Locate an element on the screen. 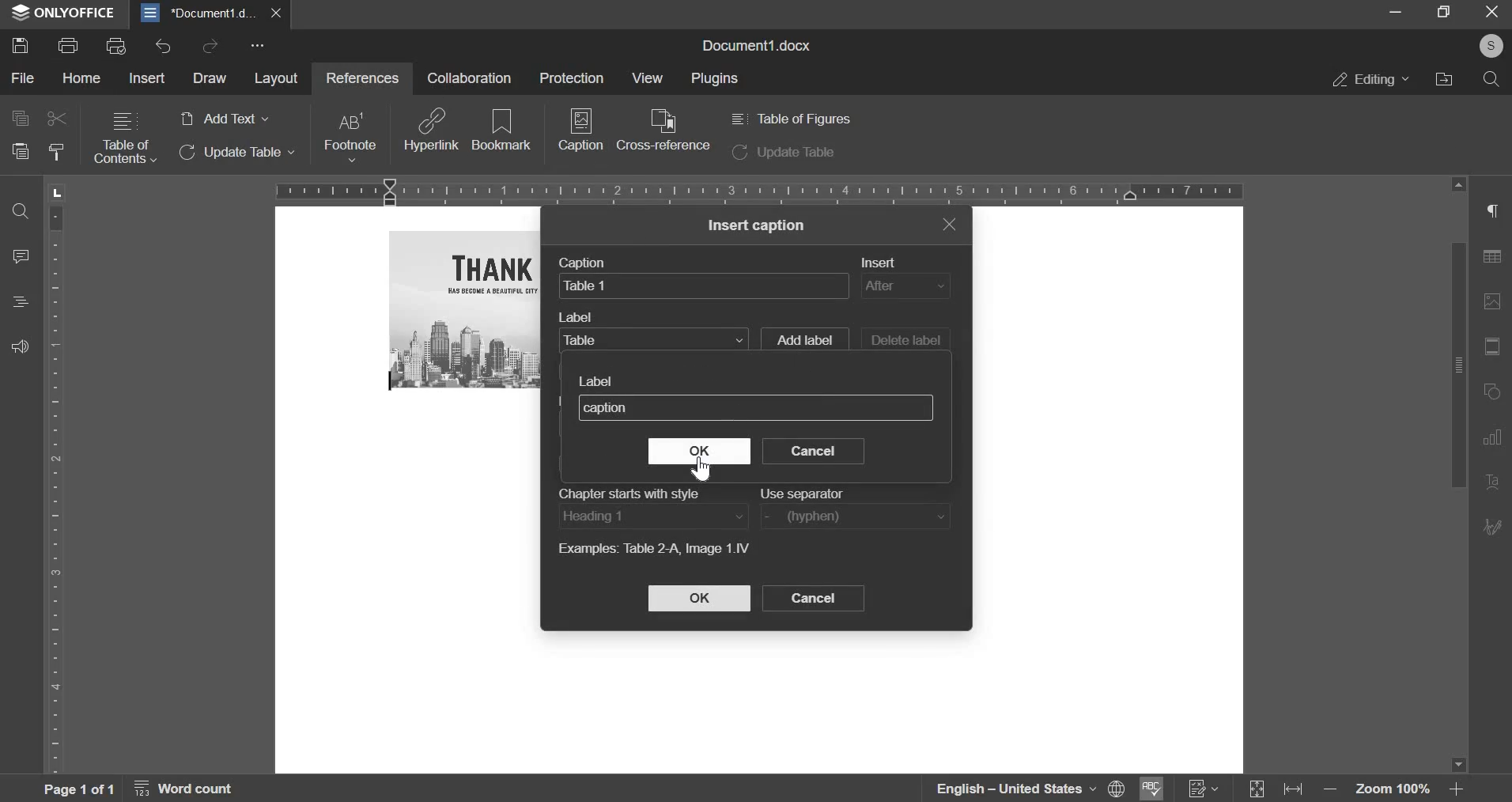 The height and width of the screenshot is (802, 1512). references is located at coordinates (360, 77).